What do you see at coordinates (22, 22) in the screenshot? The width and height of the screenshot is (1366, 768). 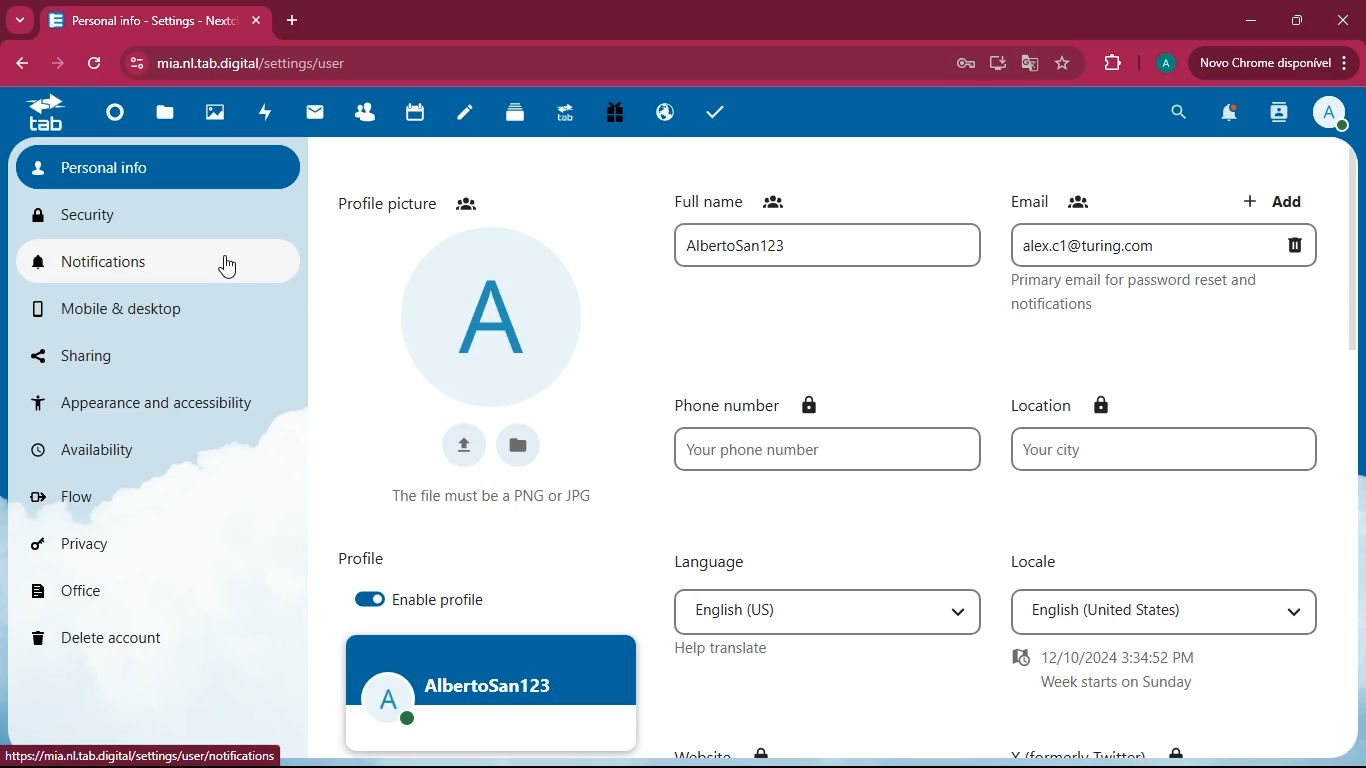 I see `more` at bounding box center [22, 22].